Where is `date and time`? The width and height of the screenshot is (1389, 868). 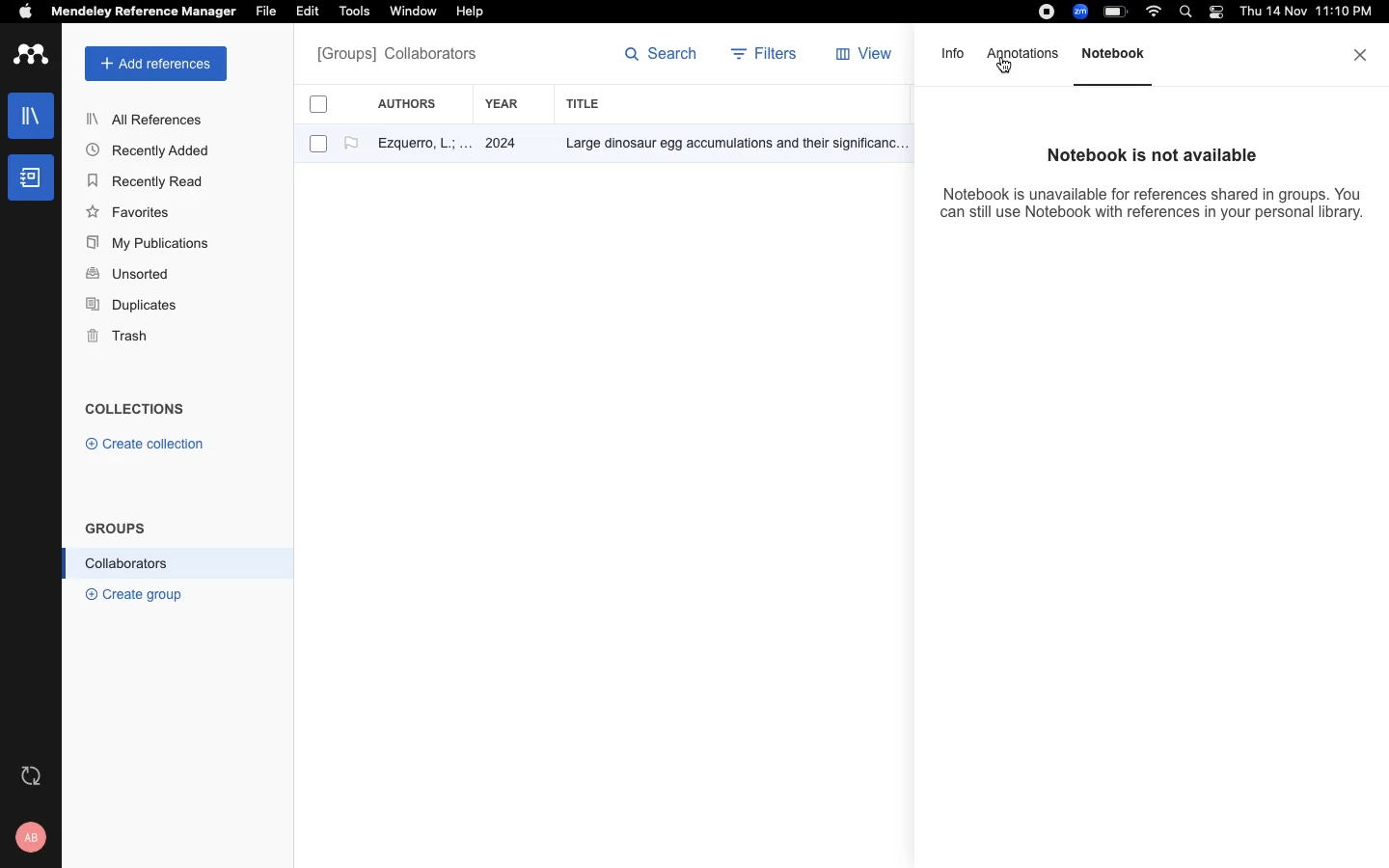
date and time is located at coordinates (1302, 14).